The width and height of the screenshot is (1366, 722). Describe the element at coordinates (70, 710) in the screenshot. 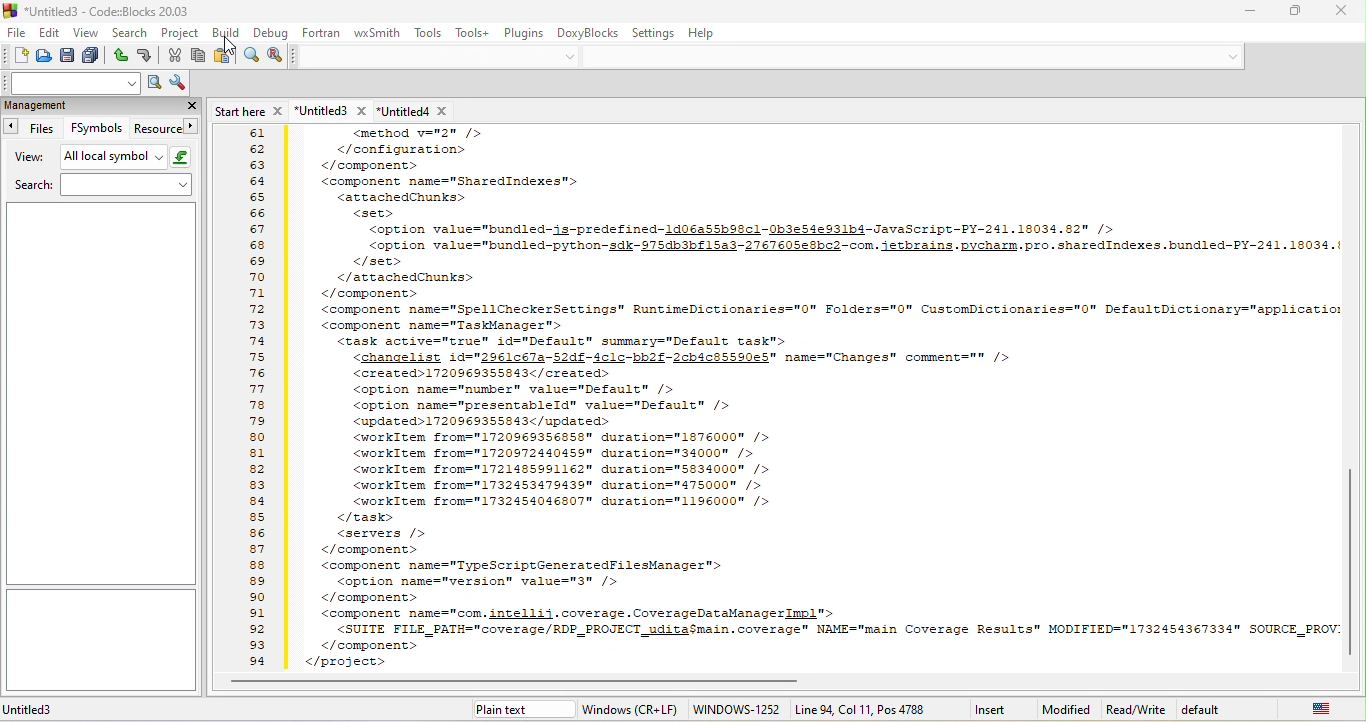

I see `untitled 3` at that location.